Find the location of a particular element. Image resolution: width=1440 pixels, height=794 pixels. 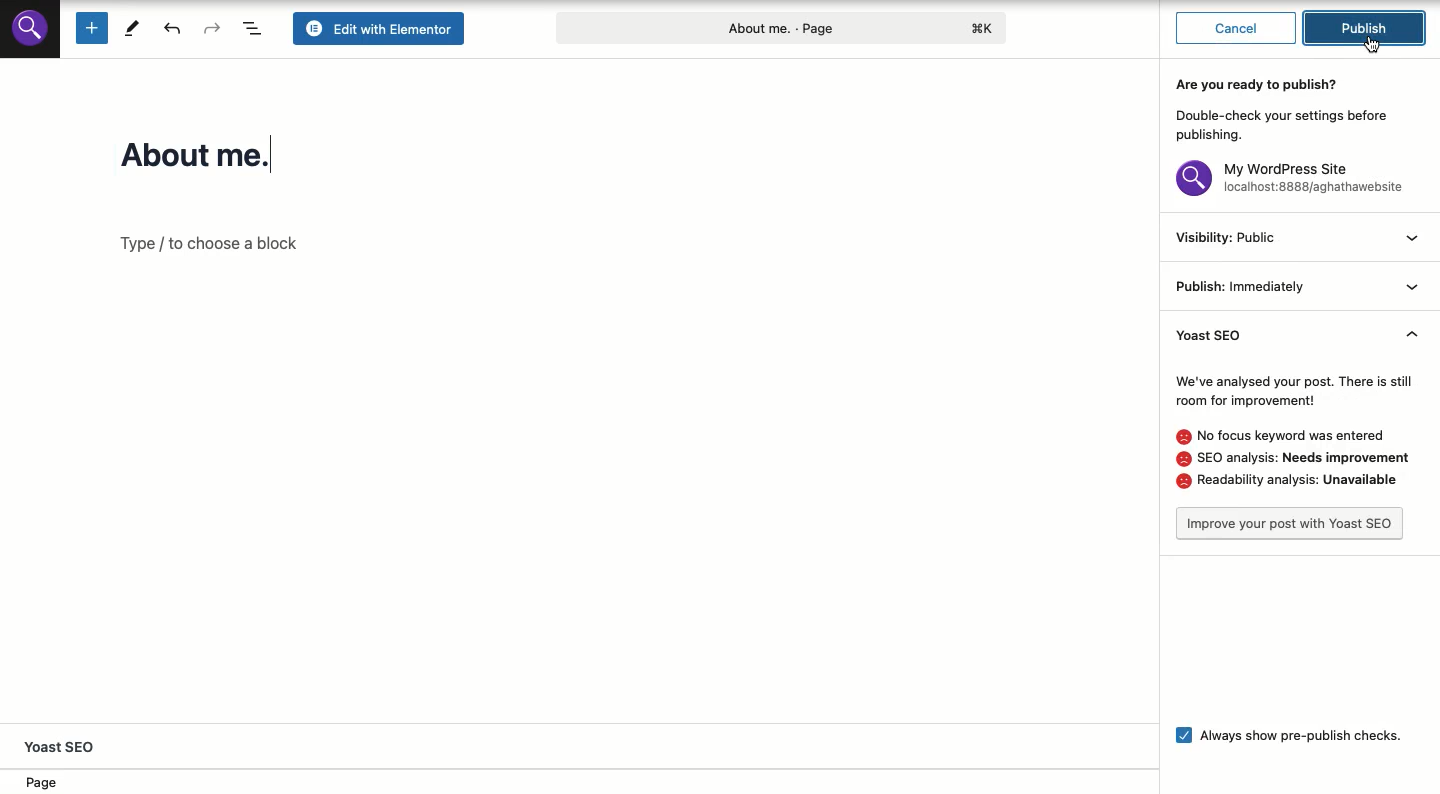

Add new block is located at coordinates (90, 28).